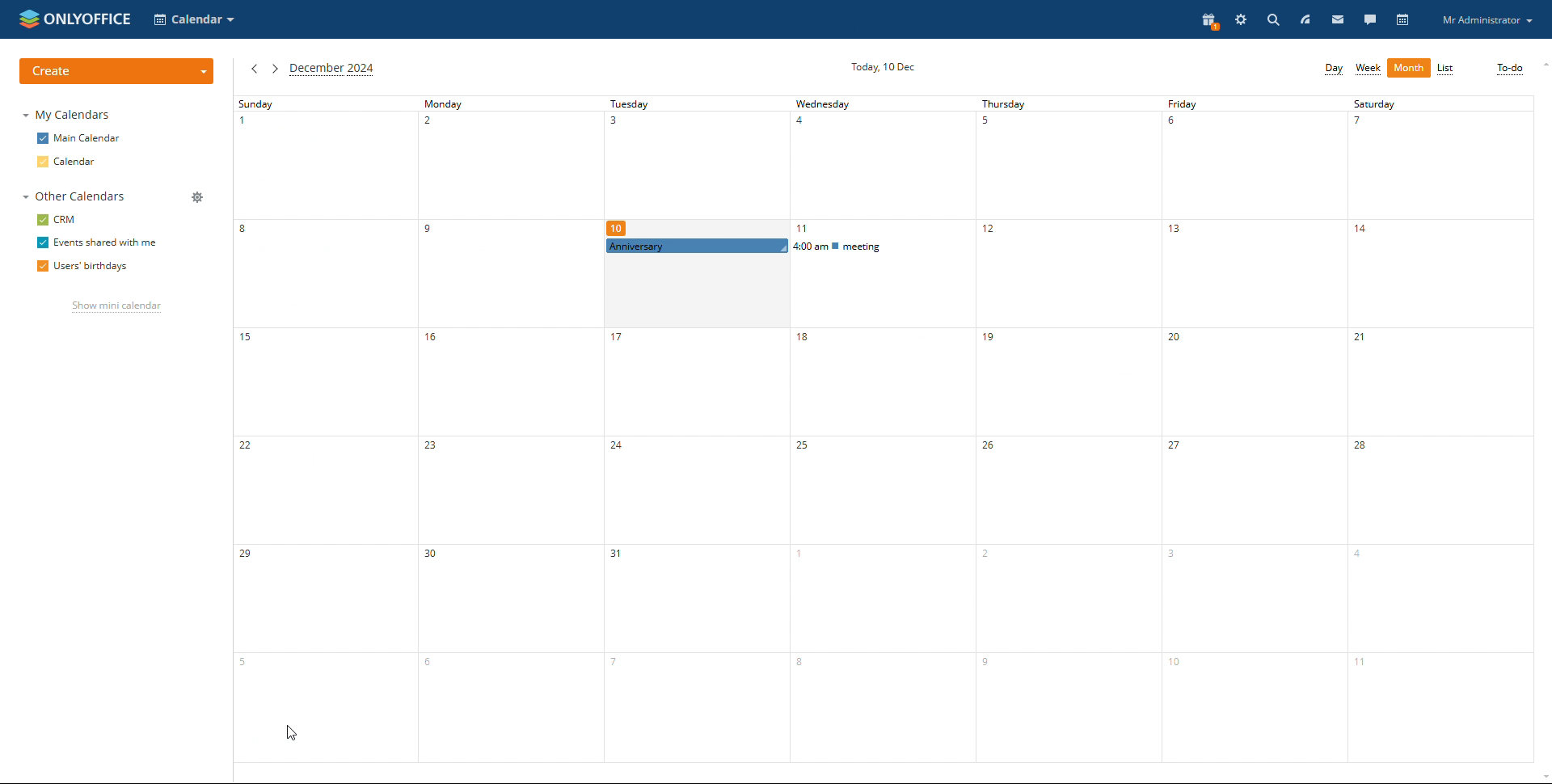  Describe the element at coordinates (115, 307) in the screenshot. I see `show mini calendar` at that location.